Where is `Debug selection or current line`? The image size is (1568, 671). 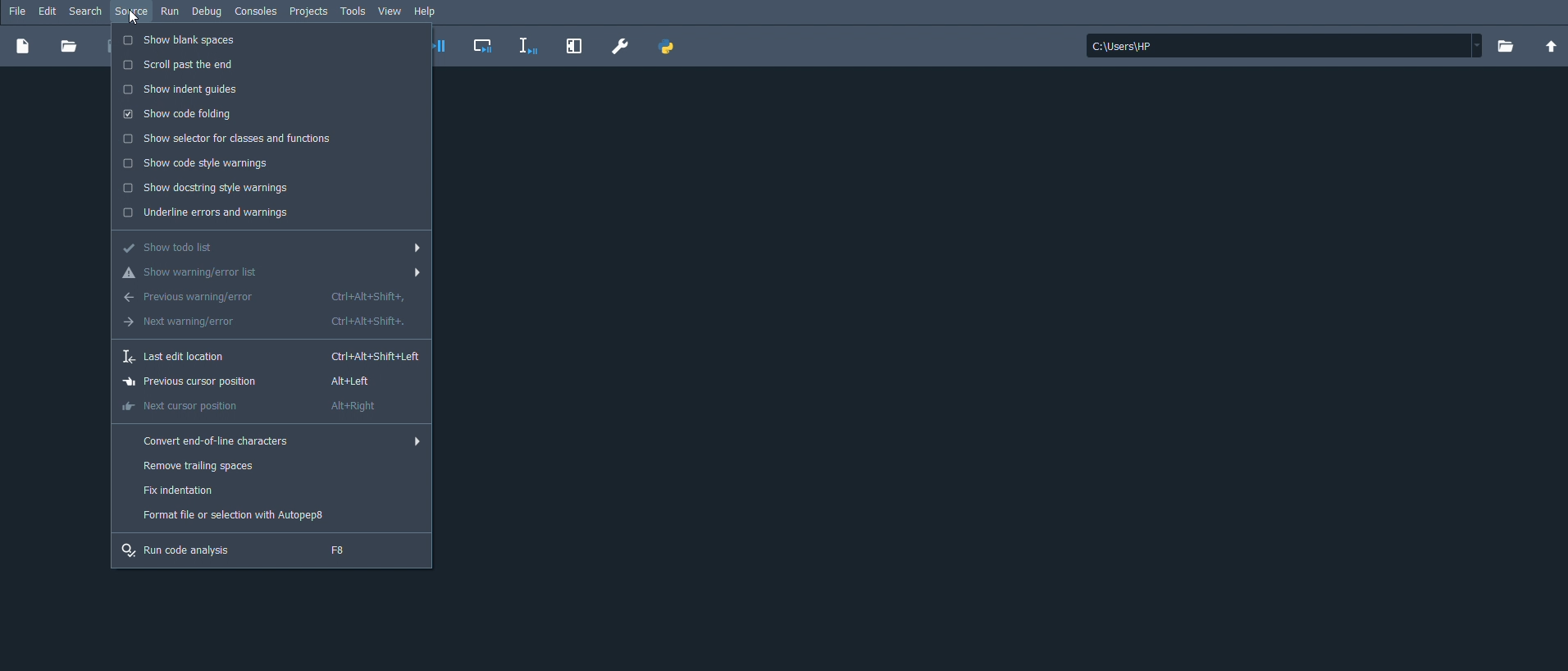
Debug selection or current line is located at coordinates (526, 46).